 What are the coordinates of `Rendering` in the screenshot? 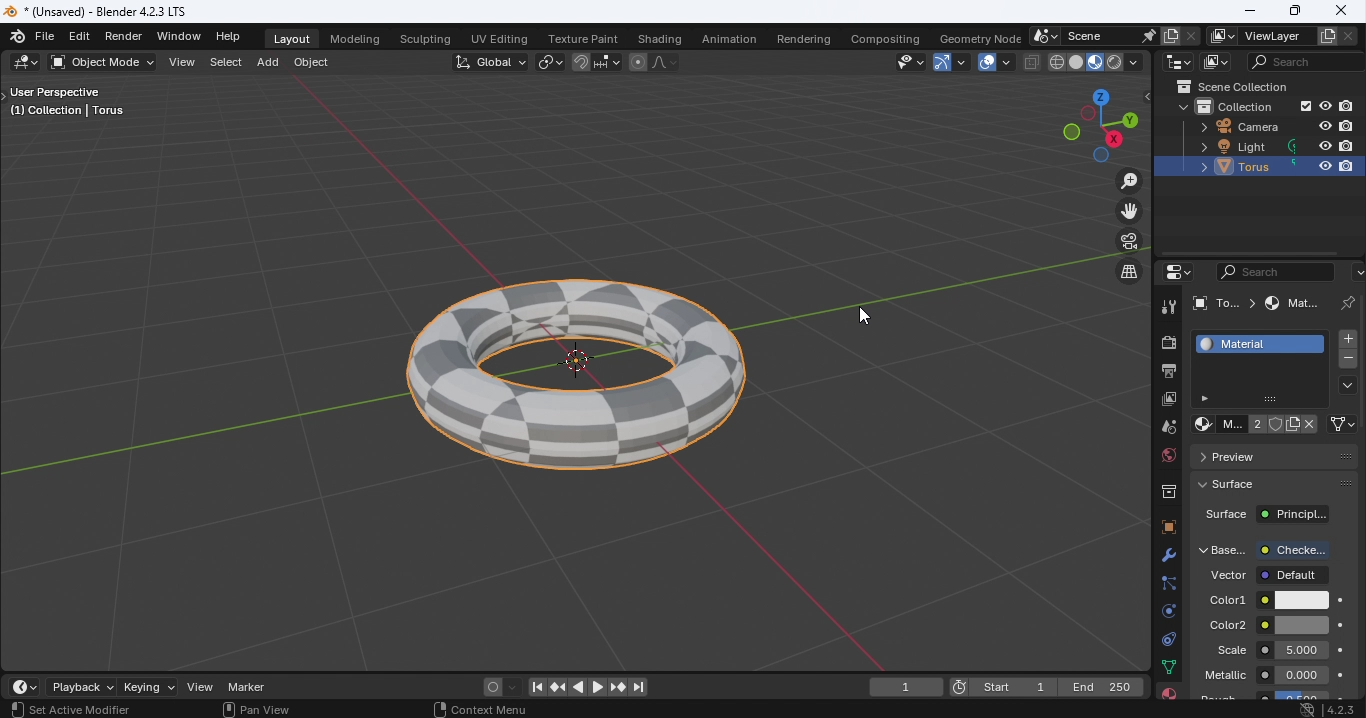 It's located at (804, 37).